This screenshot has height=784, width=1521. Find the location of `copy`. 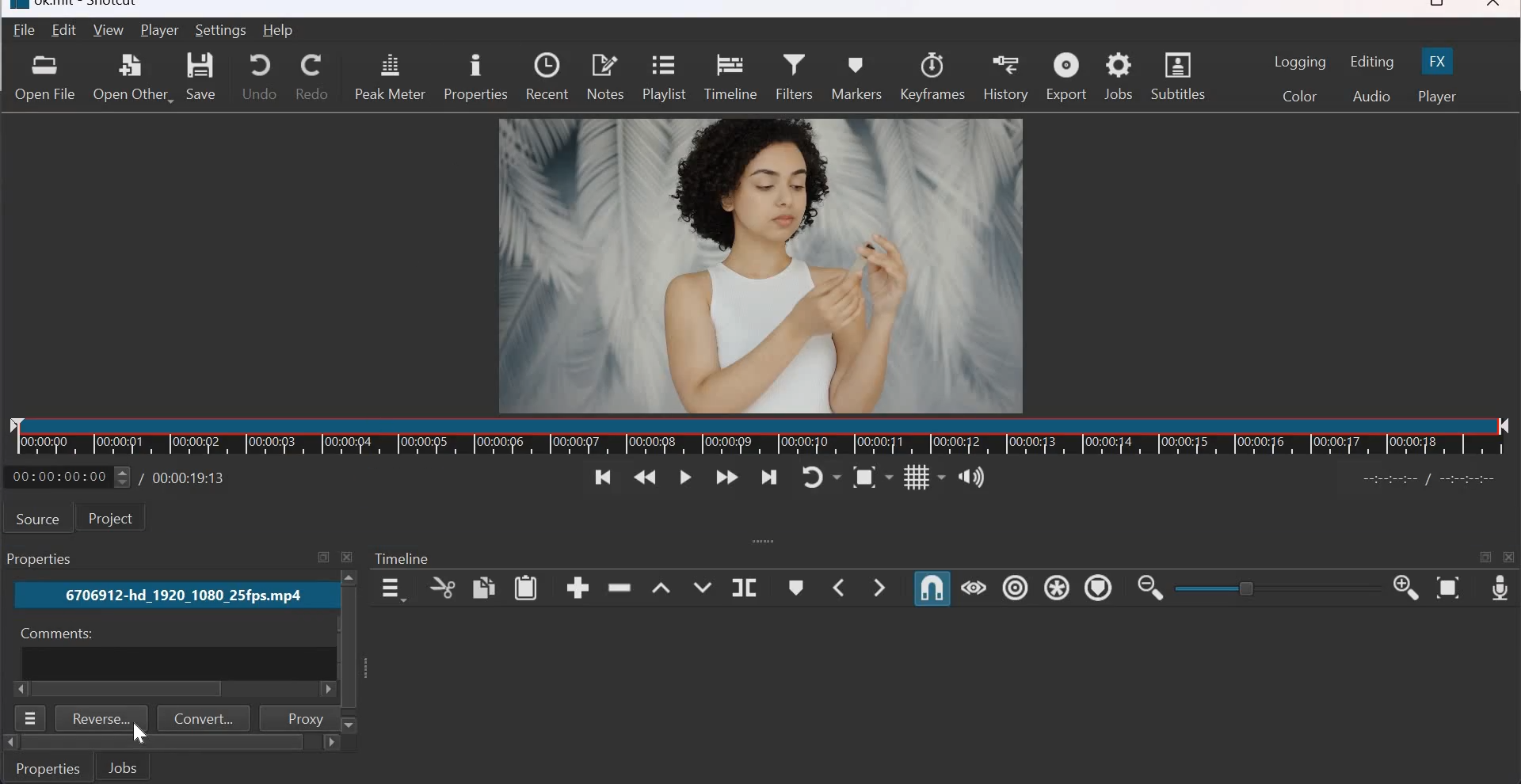

copy is located at coordinates (483, 587).